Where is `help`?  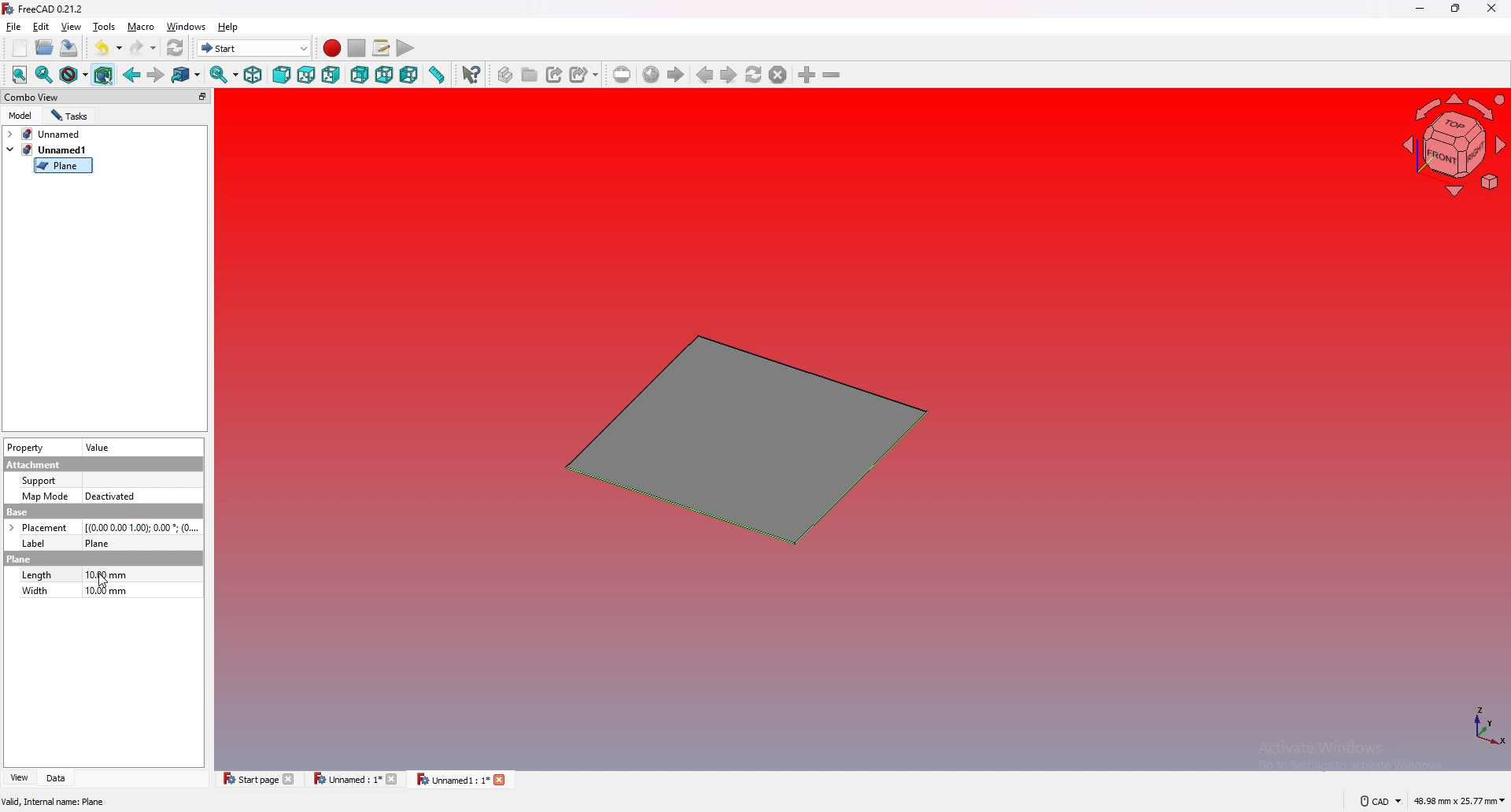 help is located at coordinates (229, 27).